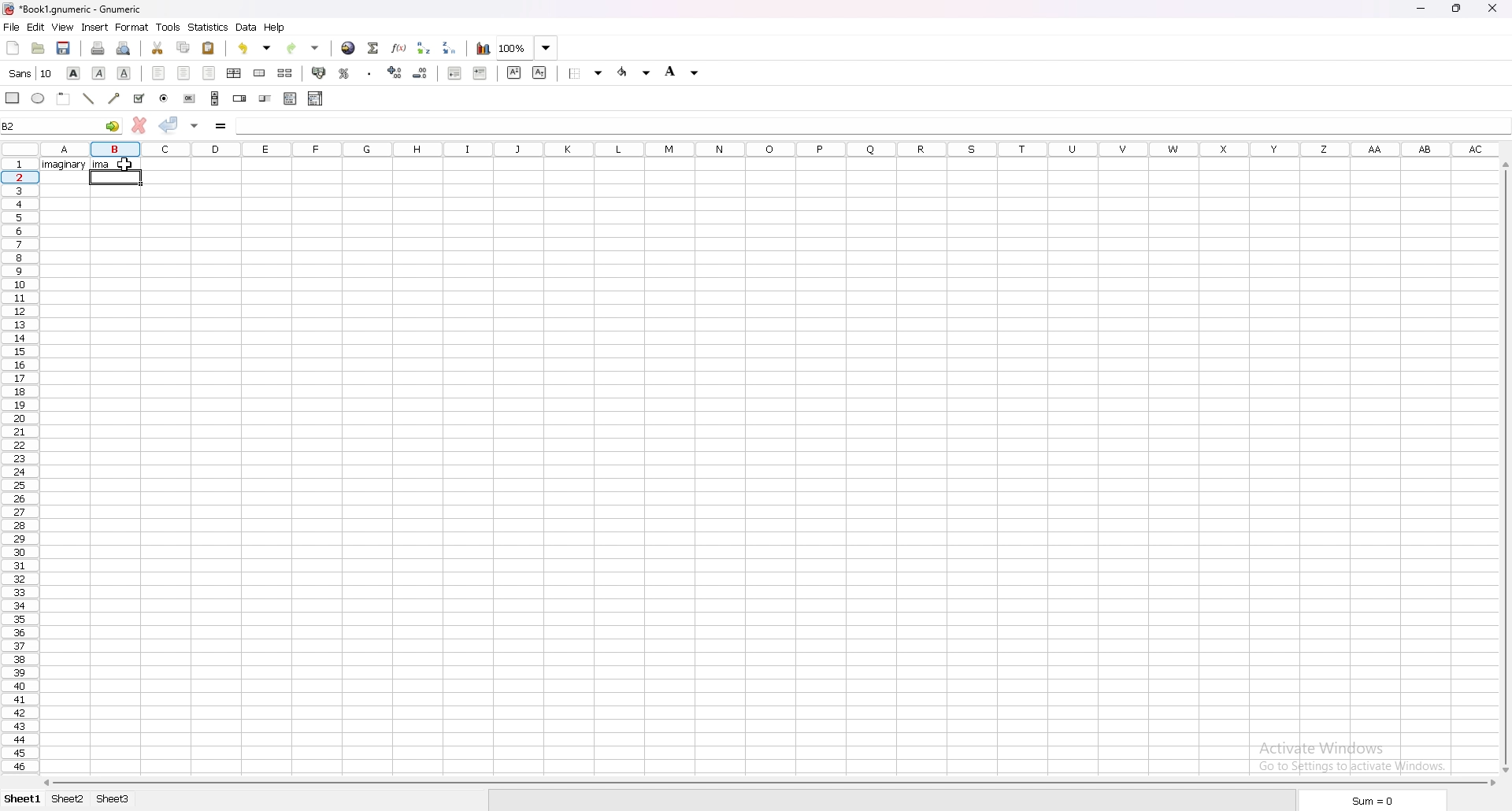 This screenshot has height=811, width=1512. Describe the element at coordinates (528, 47) in the screenshot. I see `zoom` at that location.